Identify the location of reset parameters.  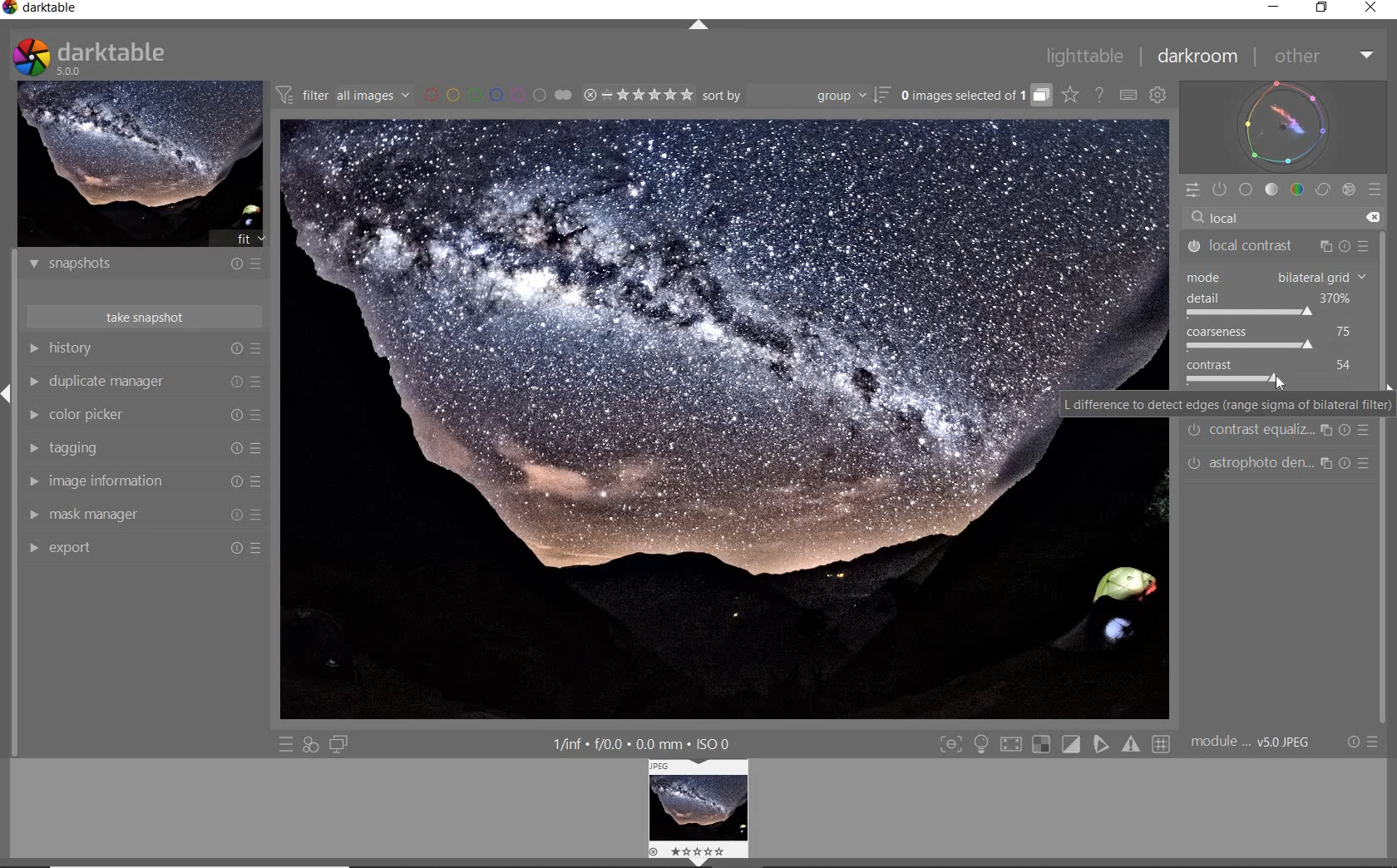
(1369, 429).